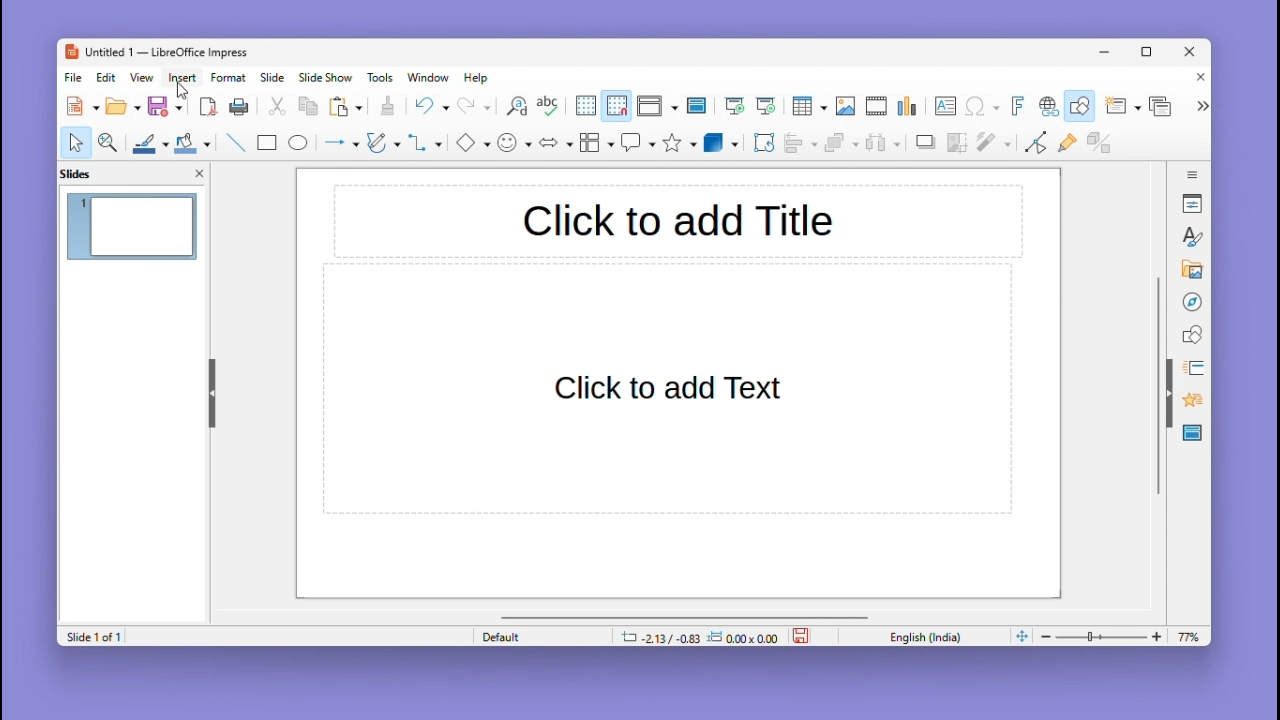 This screenshot has width=1280, height=720. Describe the element at coordinates (1107, 51) in the screenshot. I see `Minimise` at that location.